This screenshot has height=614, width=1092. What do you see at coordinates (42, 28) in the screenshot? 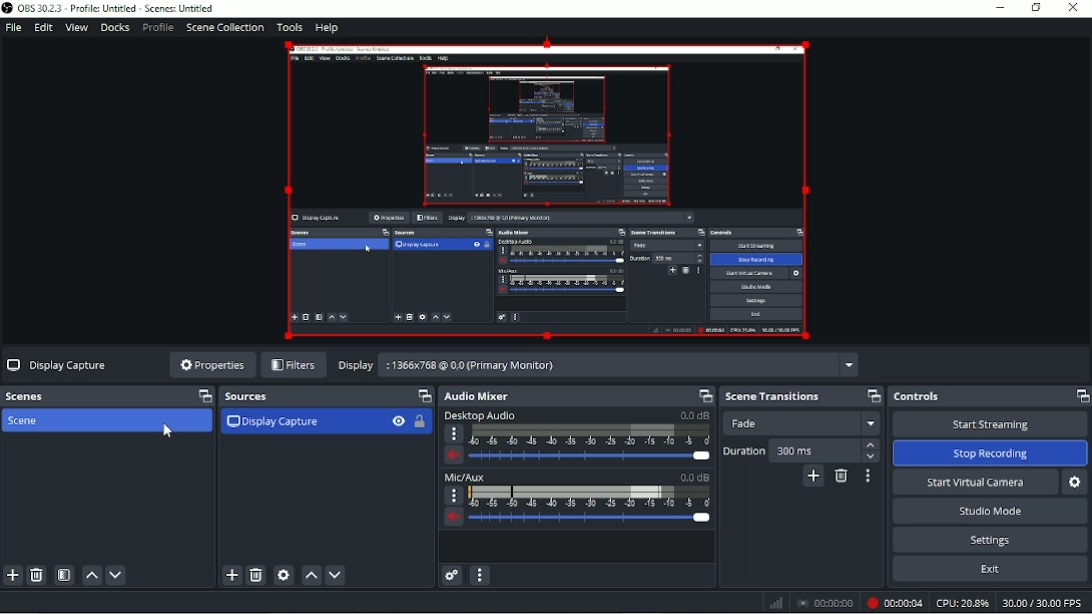
I see `Edit` at bounding box center [42, 28].